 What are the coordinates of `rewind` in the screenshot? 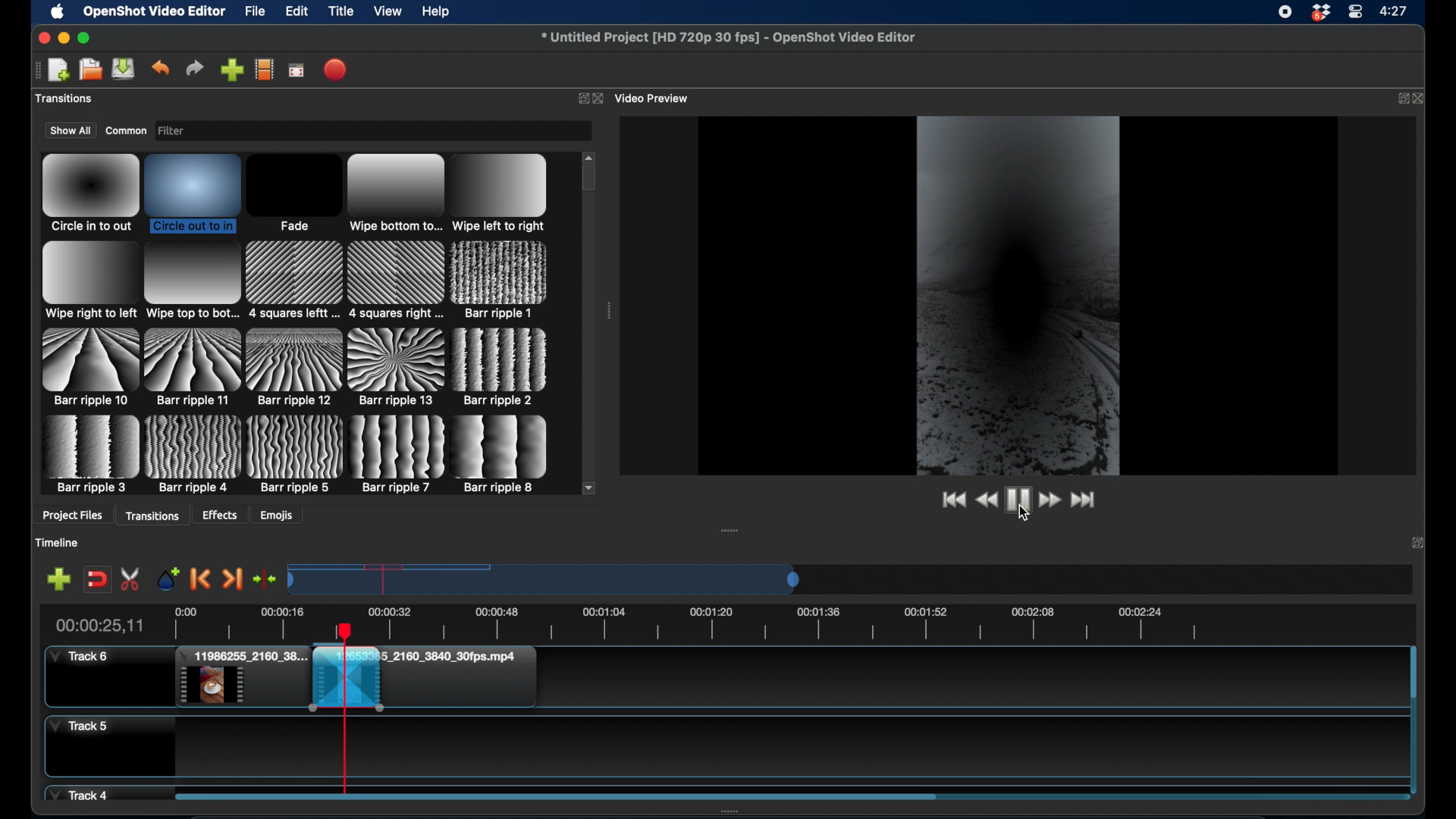 It's located at (987, 502).